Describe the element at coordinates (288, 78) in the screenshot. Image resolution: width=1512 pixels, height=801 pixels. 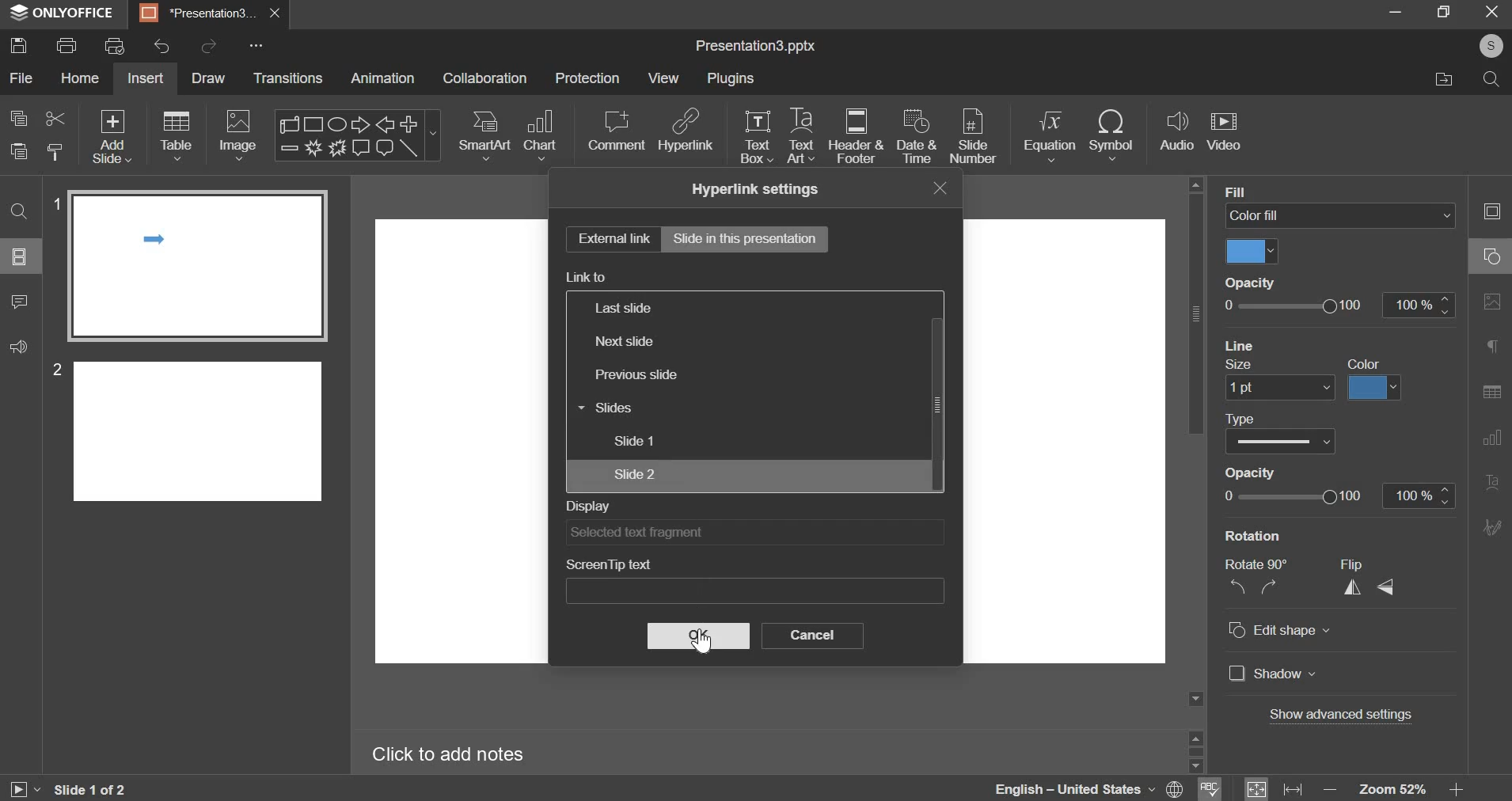
I see `transitions` at that location.